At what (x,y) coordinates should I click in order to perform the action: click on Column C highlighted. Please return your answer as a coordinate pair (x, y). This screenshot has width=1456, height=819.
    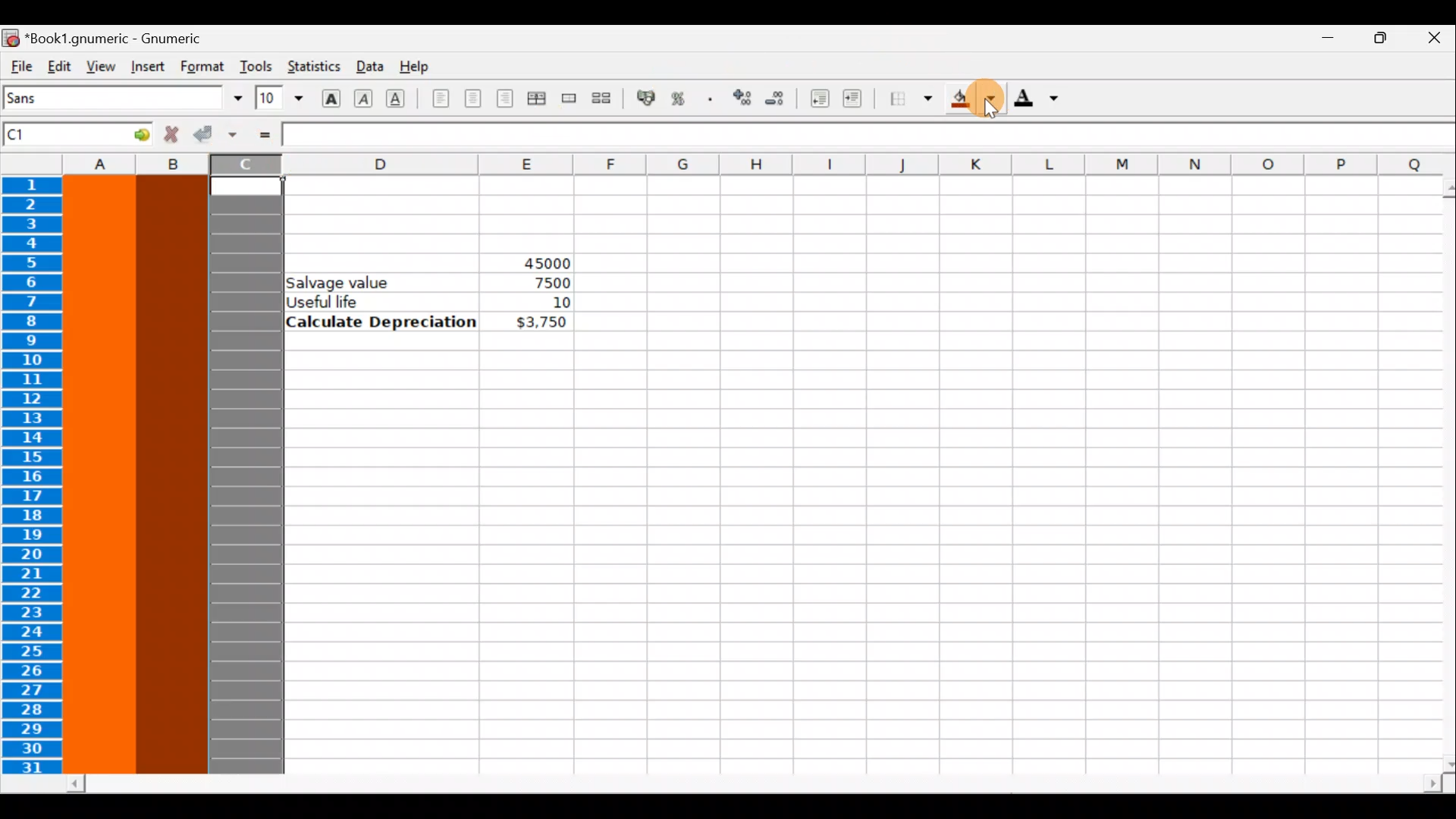
    Looking at the image, I should click on (250, 473).